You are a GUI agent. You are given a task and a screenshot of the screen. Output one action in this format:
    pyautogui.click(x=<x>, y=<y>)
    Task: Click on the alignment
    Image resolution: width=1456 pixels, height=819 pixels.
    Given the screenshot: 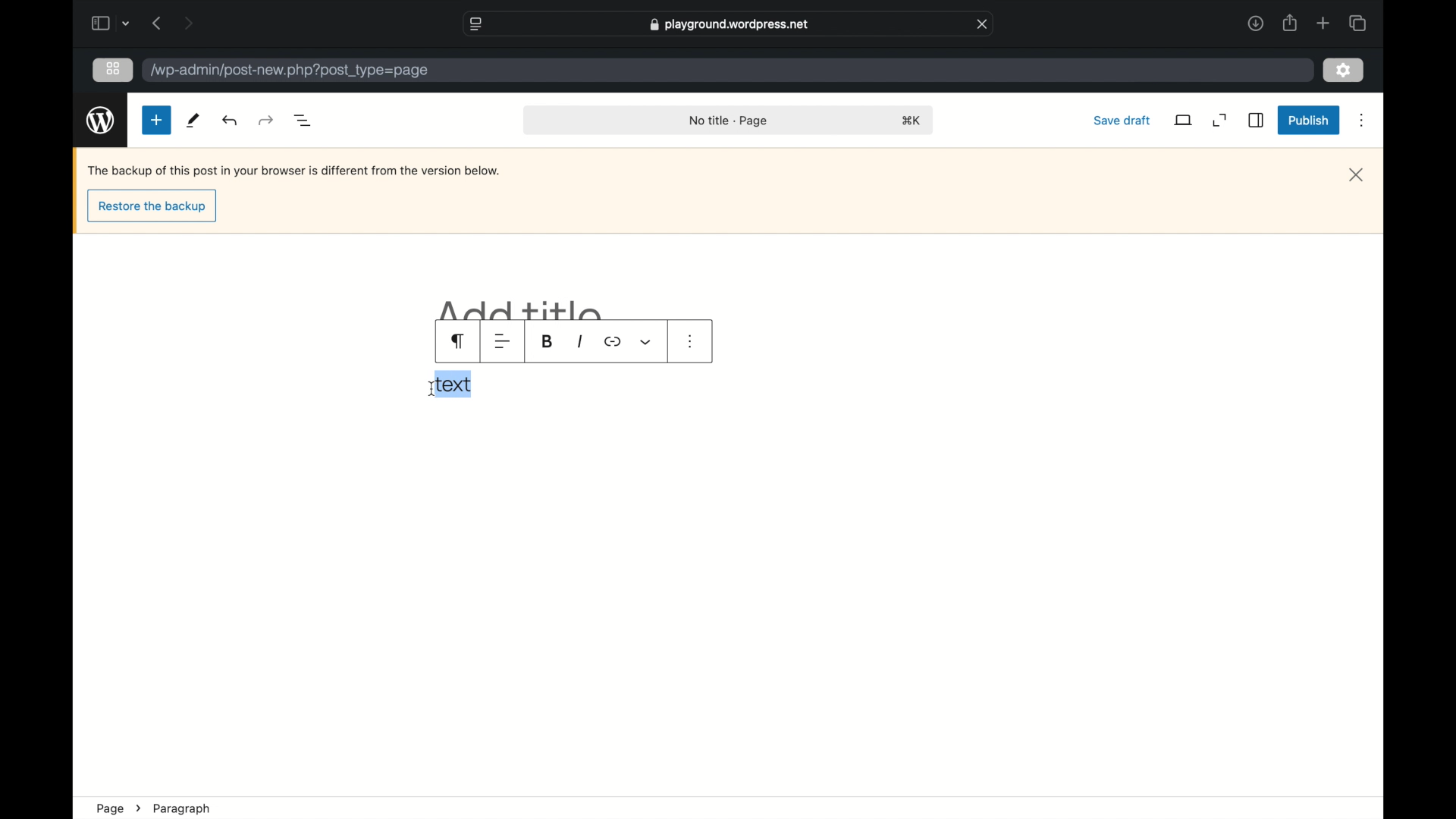 What is the action you would take?
    pyautogui.click(x=502, y=342)
    